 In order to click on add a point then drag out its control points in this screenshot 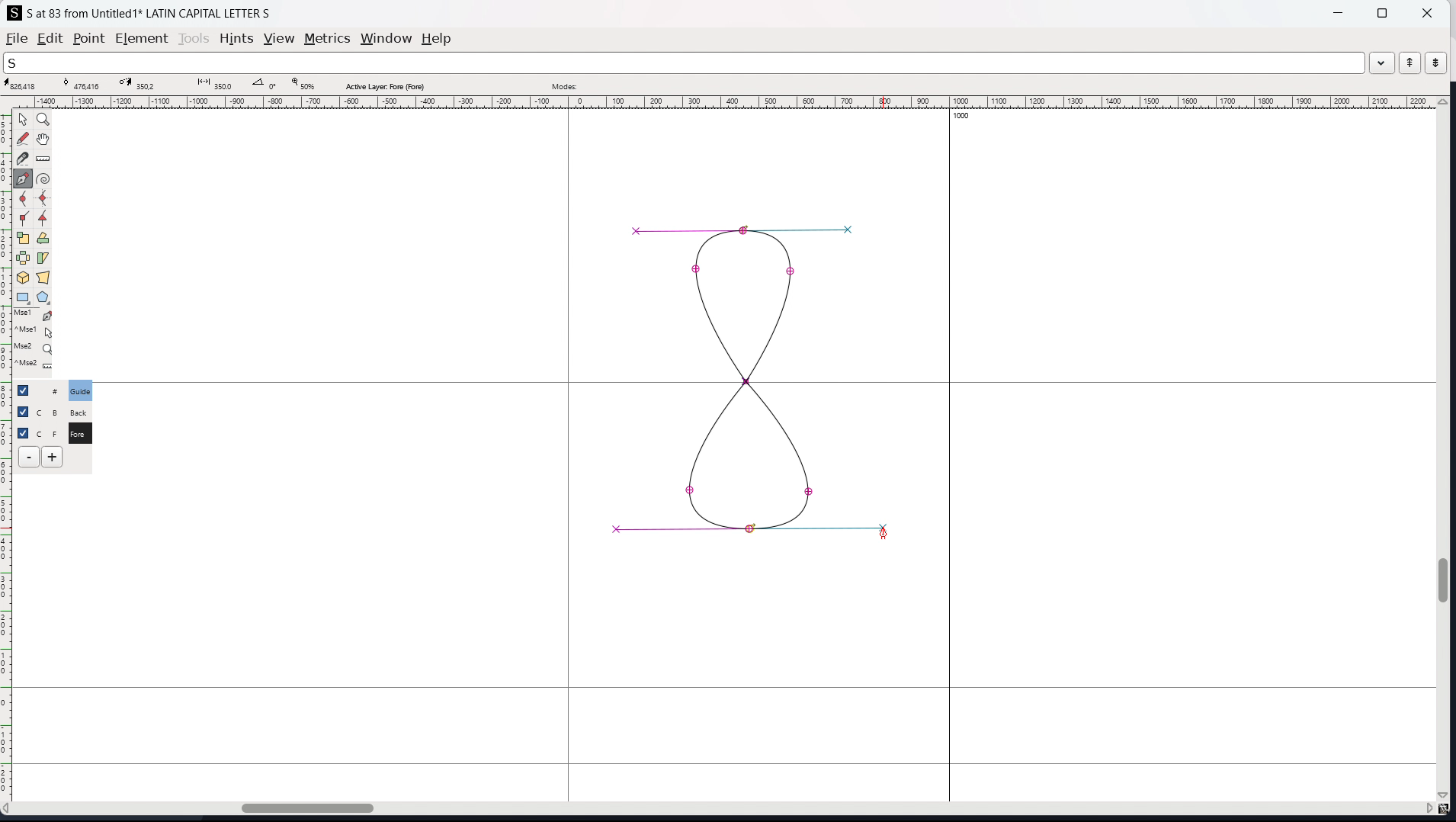, I will do `click(24, 178)`.